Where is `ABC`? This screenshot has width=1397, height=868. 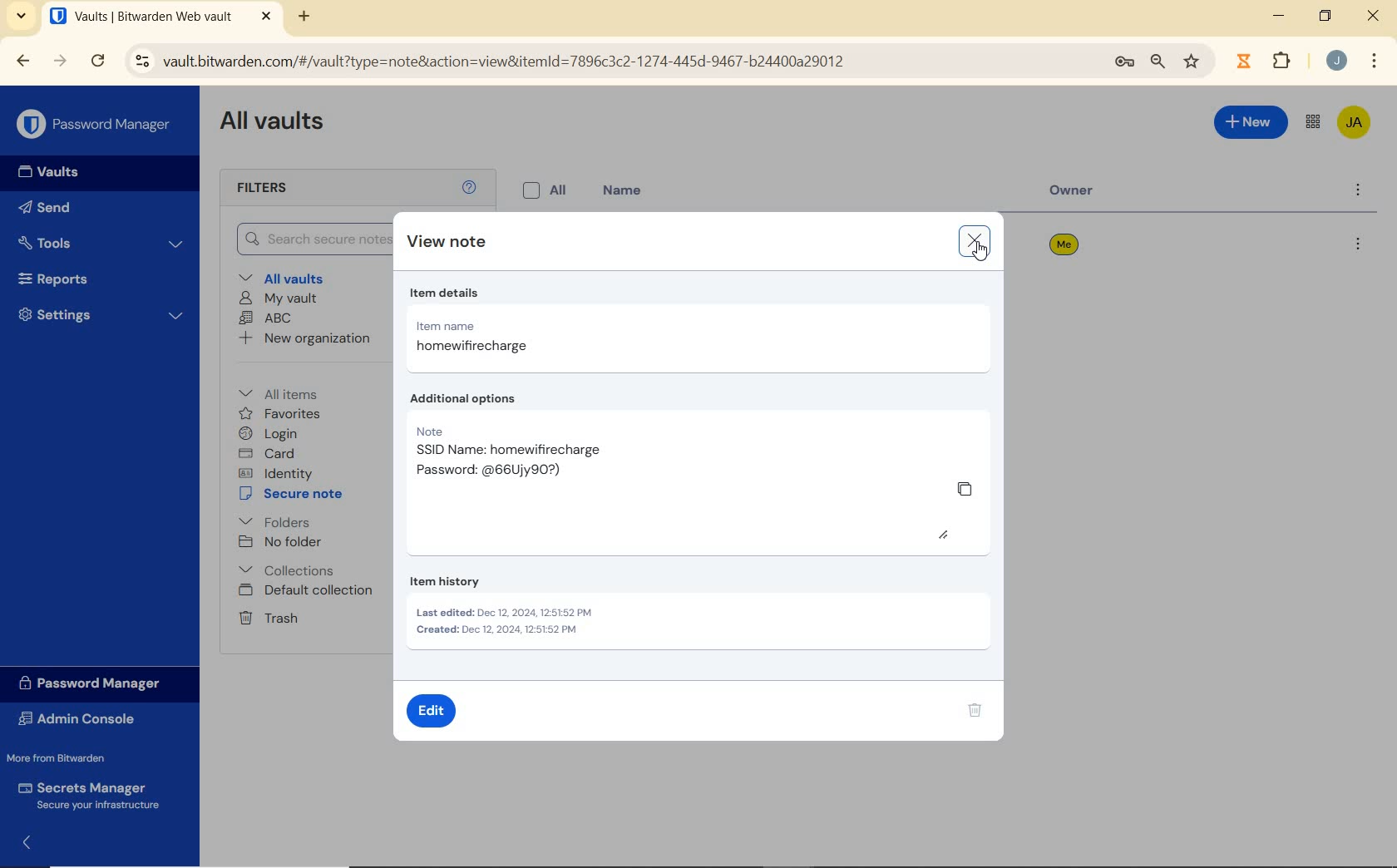 ABC is located at coordinates (266, 319).